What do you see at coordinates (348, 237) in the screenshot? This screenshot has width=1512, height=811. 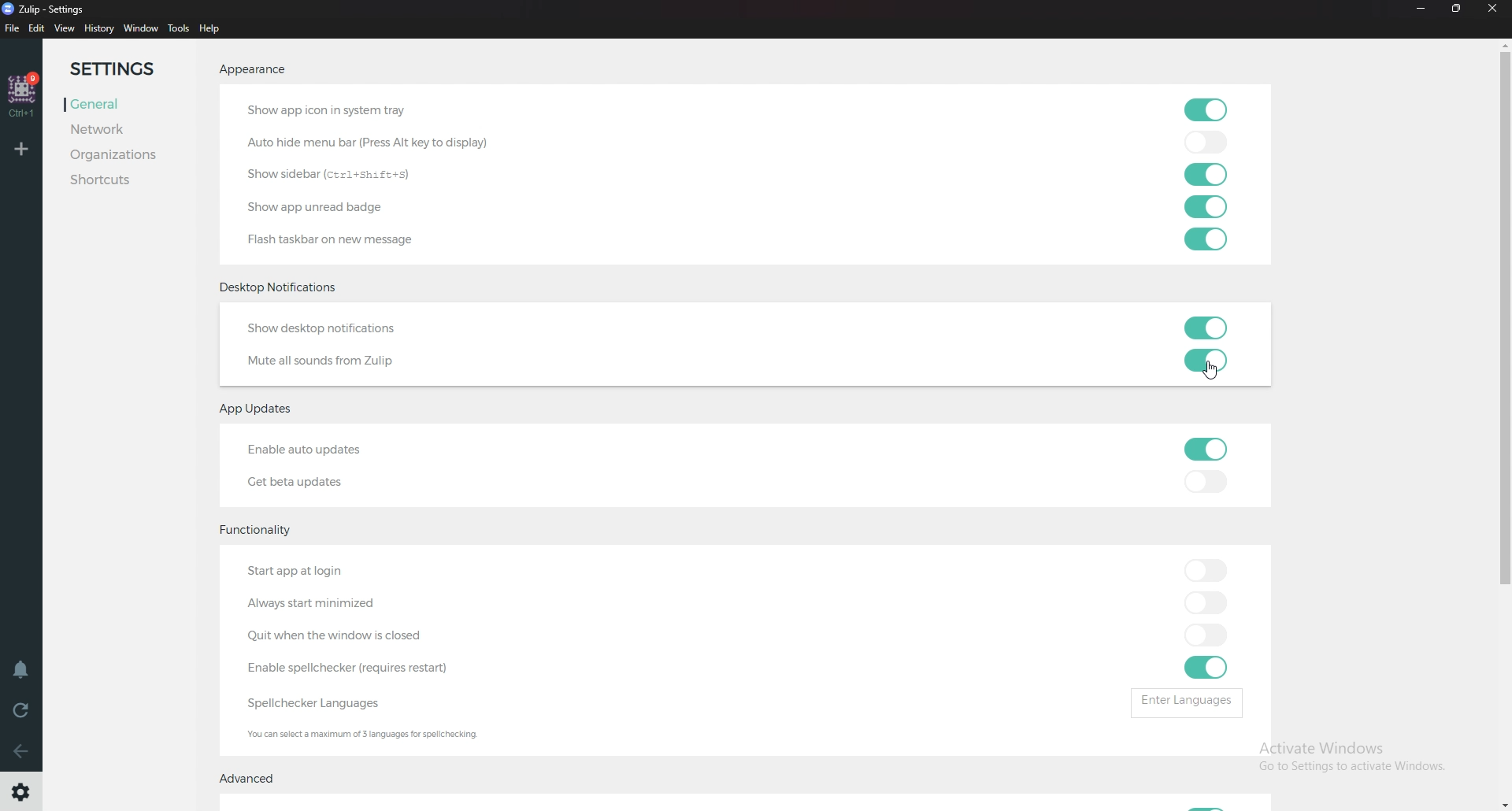 I see `flash taskbar on new message` at bounding box center [348, 237].